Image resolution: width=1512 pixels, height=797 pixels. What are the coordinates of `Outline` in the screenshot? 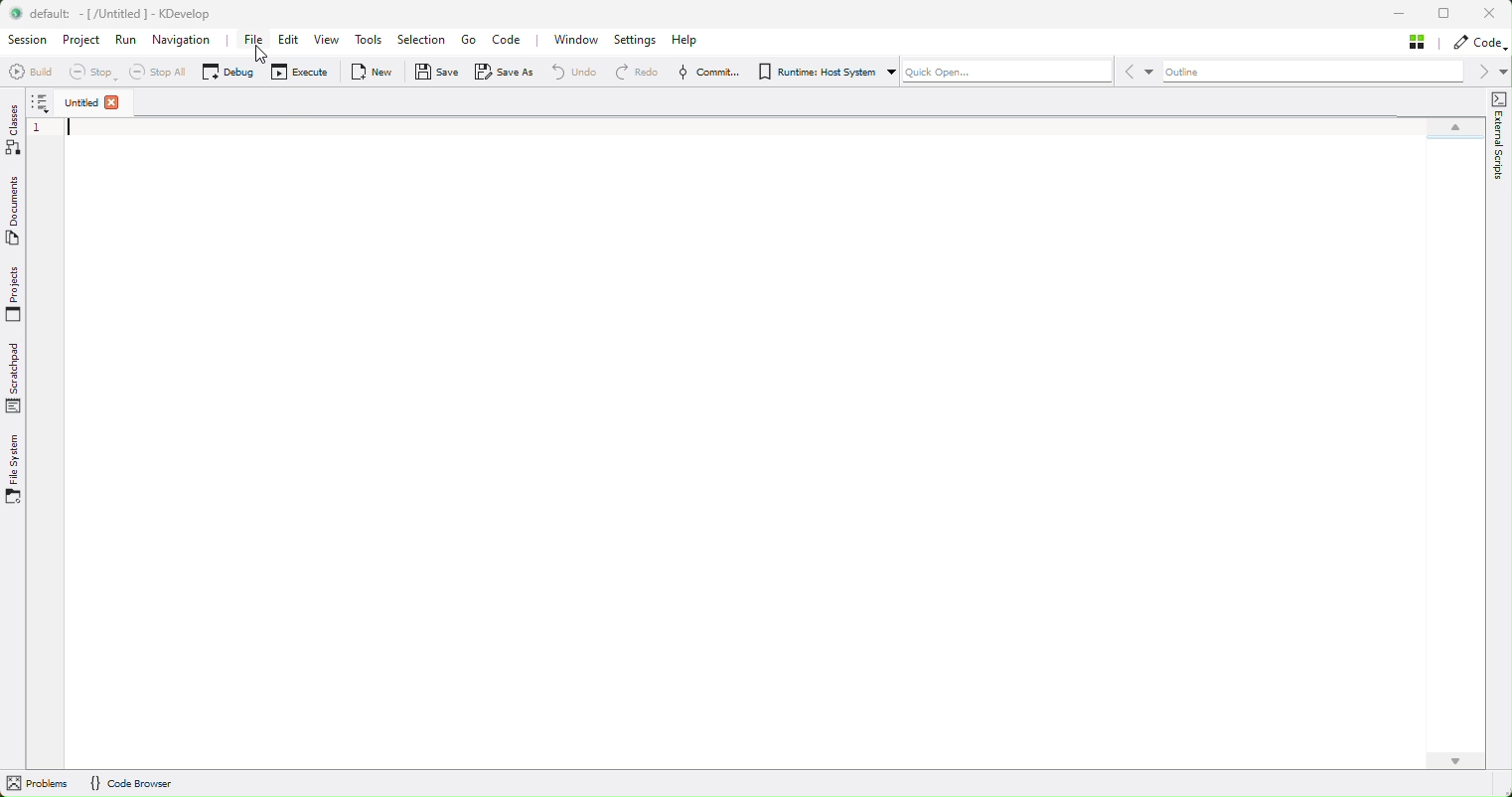 It's located at (1311, 73).